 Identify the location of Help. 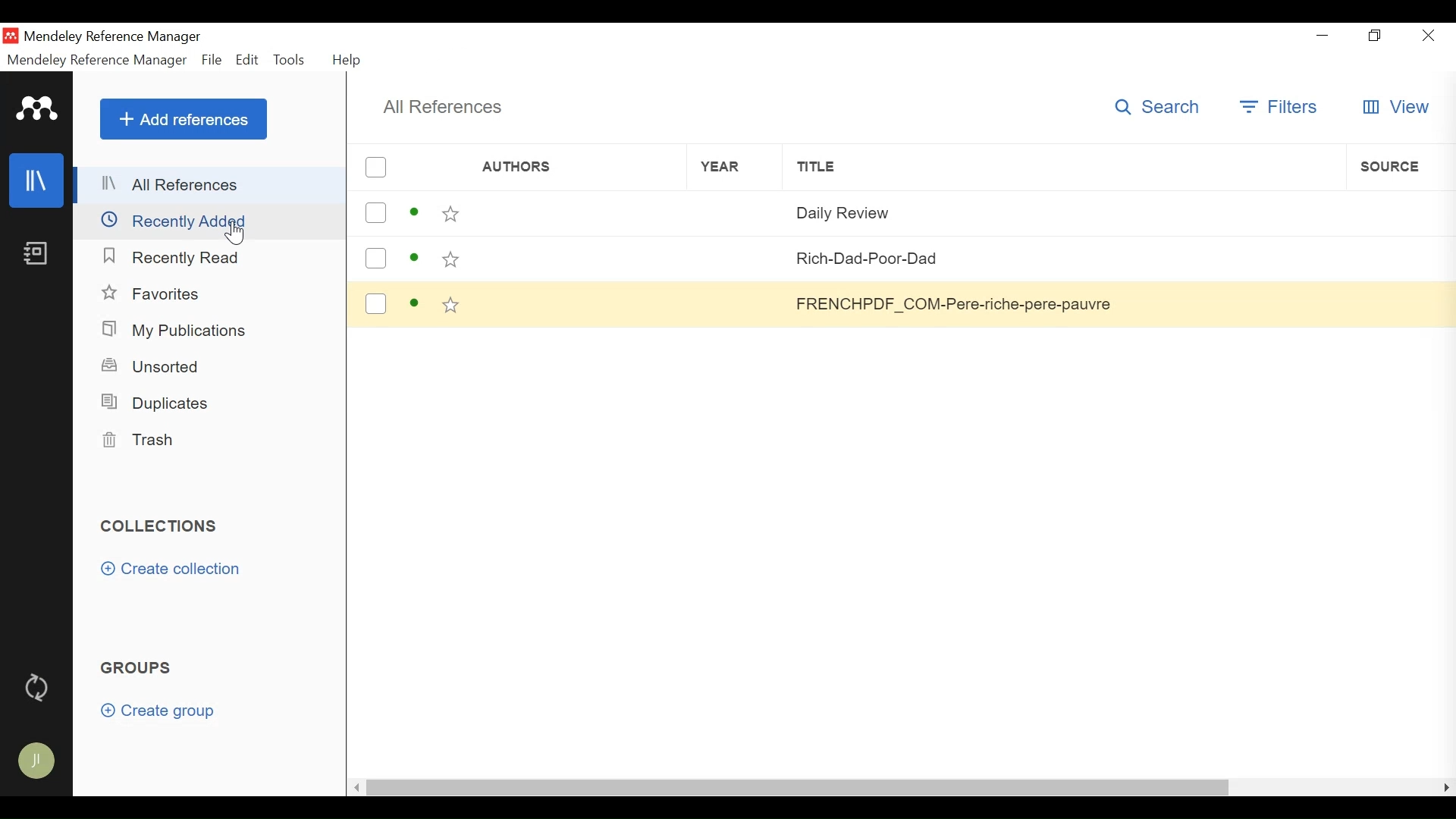
(350, 60).